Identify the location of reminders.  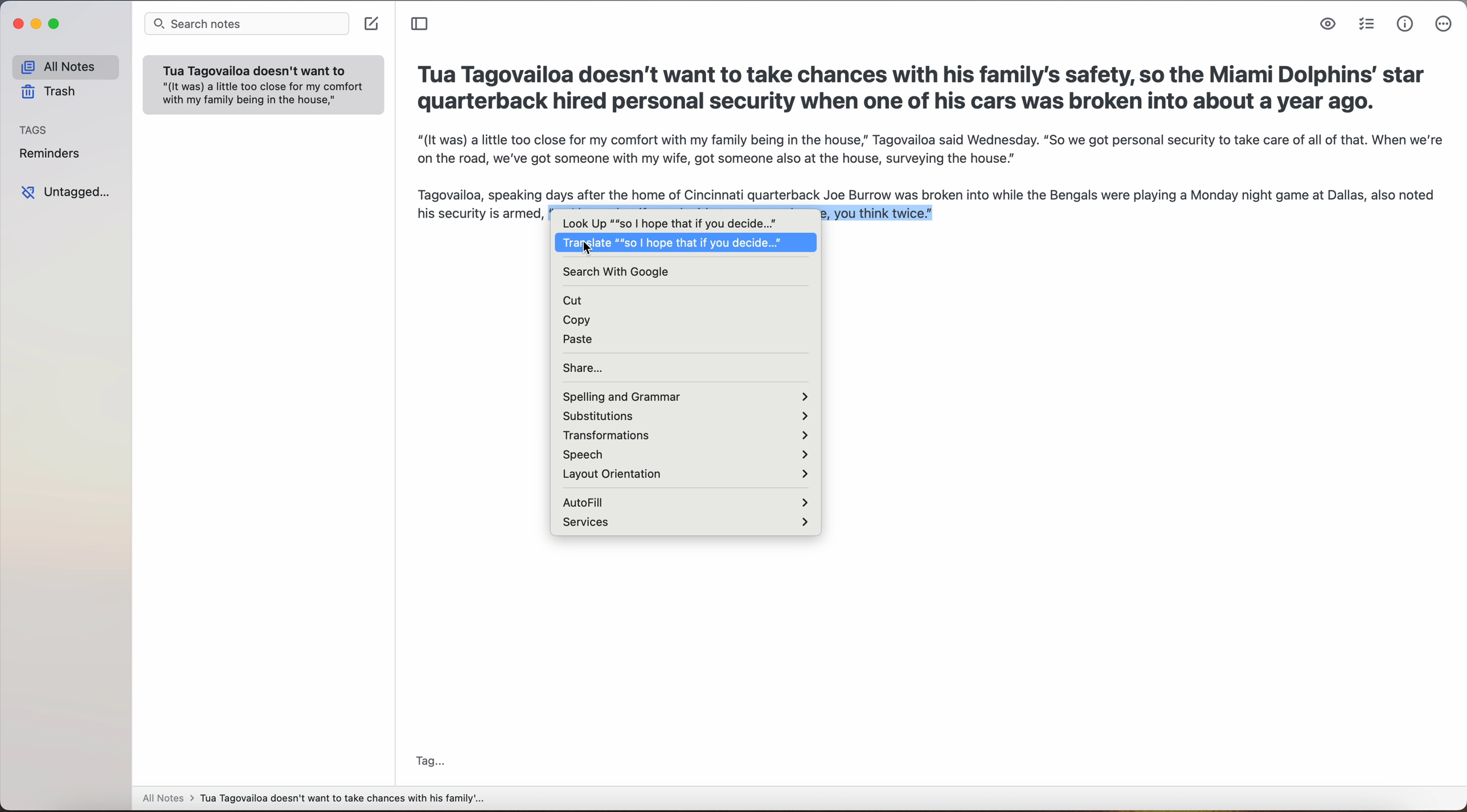
(52, 154).